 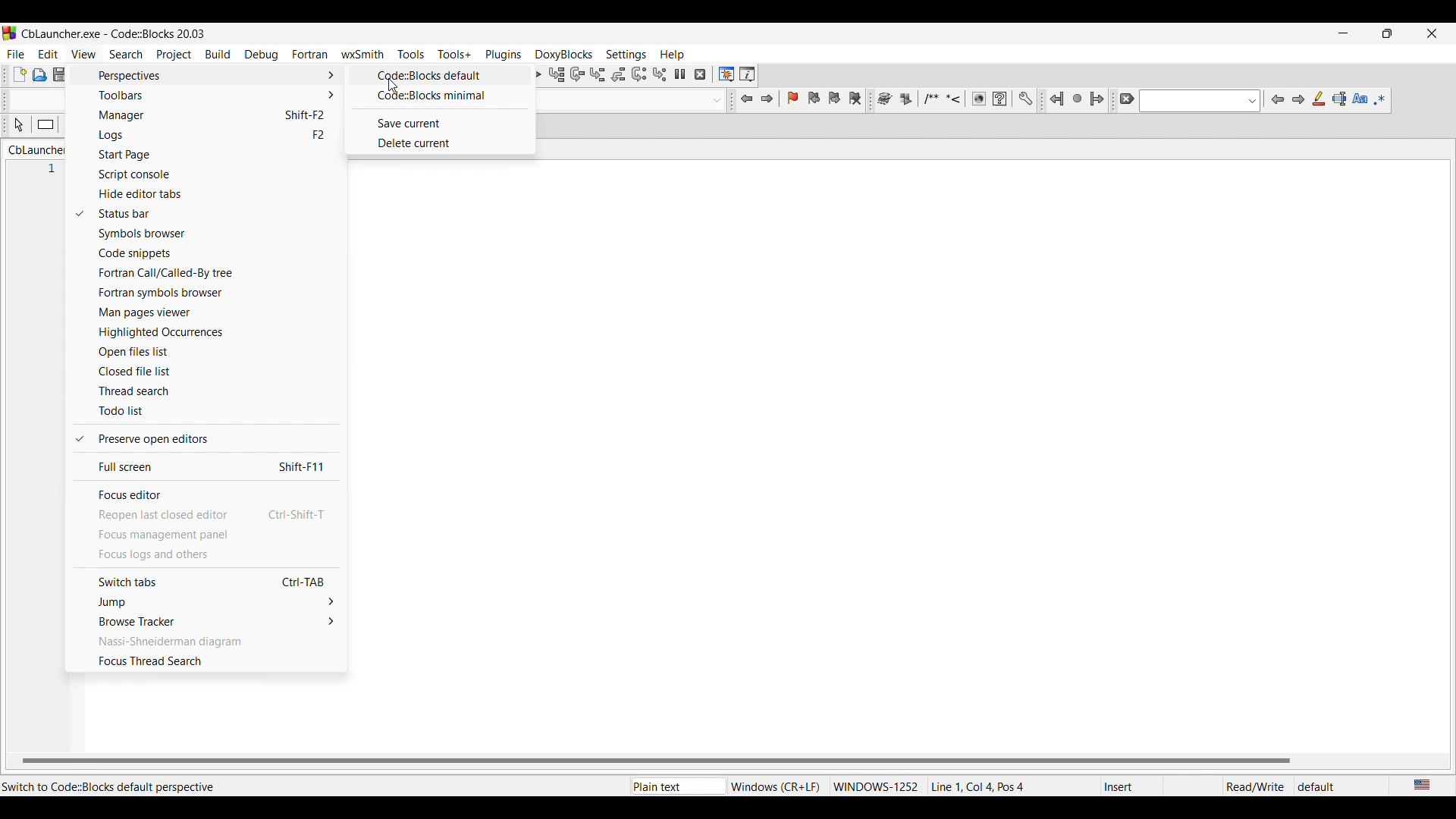 What do you see at coordinates (639, 74) in the screenshot?
I see `Next instruction` at bounding box center [639, 74].